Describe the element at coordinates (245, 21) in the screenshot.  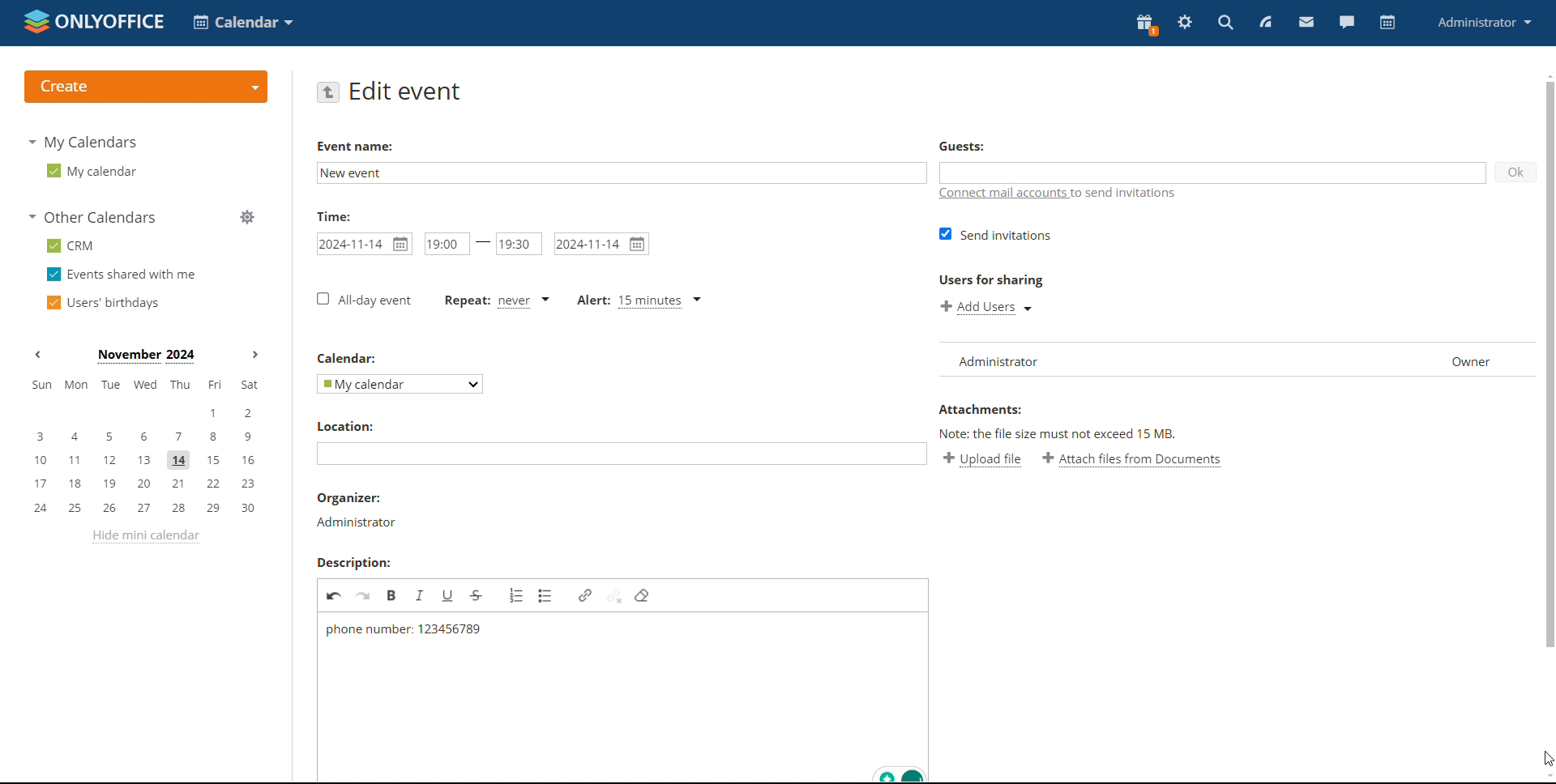
I see `select application` at that location.